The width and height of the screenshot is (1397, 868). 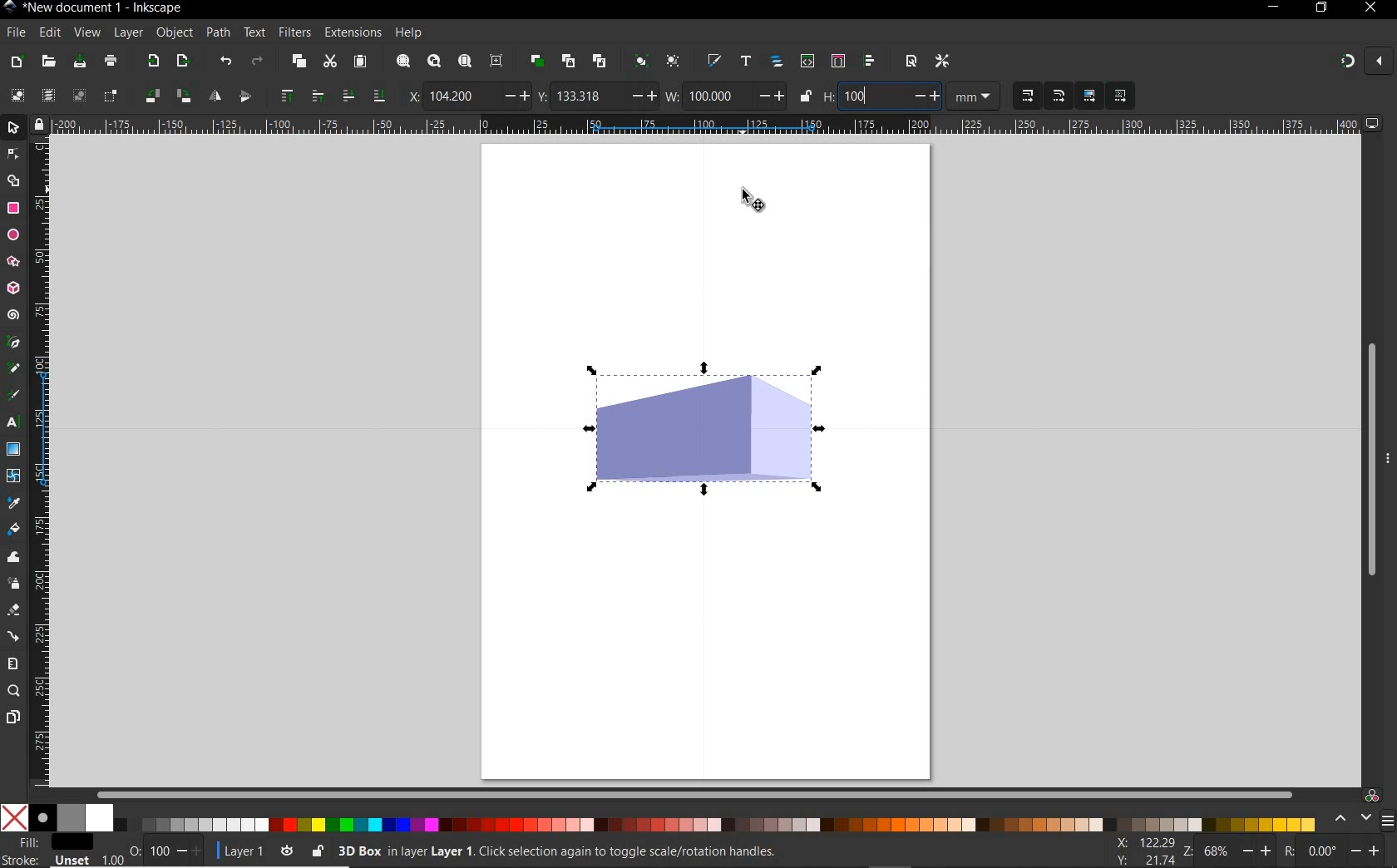 I want to click on path, so click(x=216, y=32).